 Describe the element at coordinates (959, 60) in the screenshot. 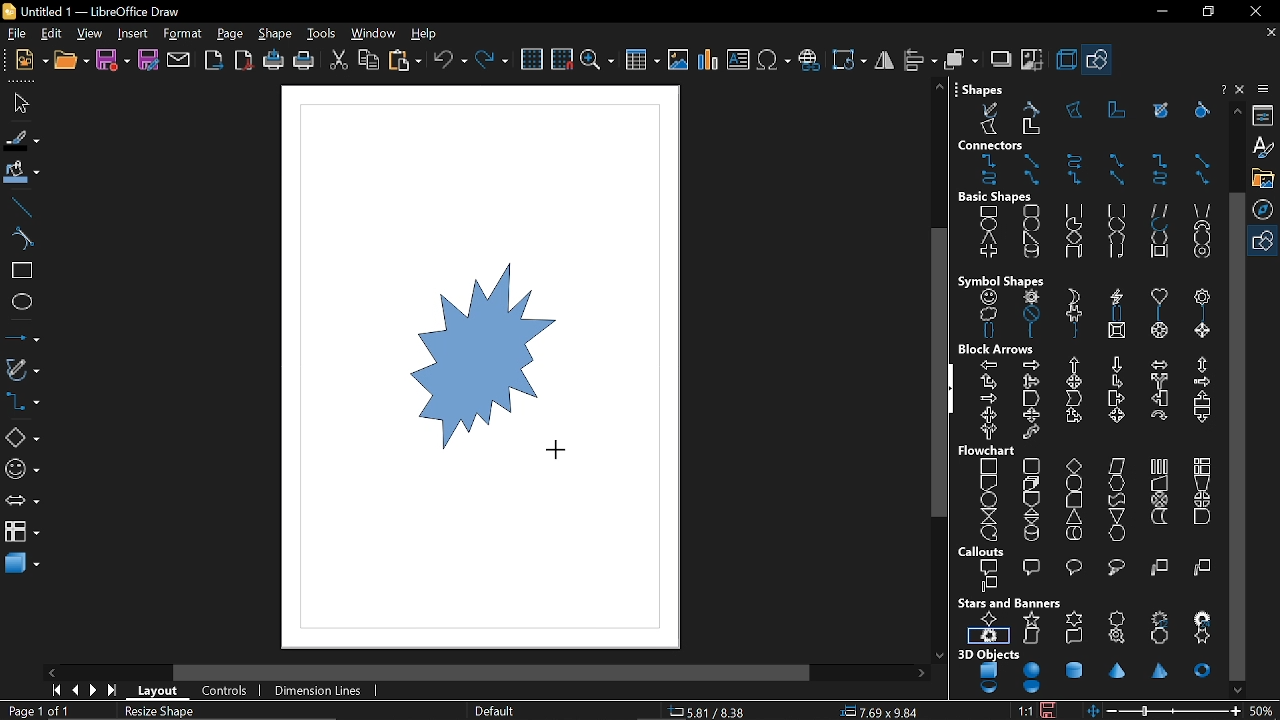

I see `arrange` at that location.